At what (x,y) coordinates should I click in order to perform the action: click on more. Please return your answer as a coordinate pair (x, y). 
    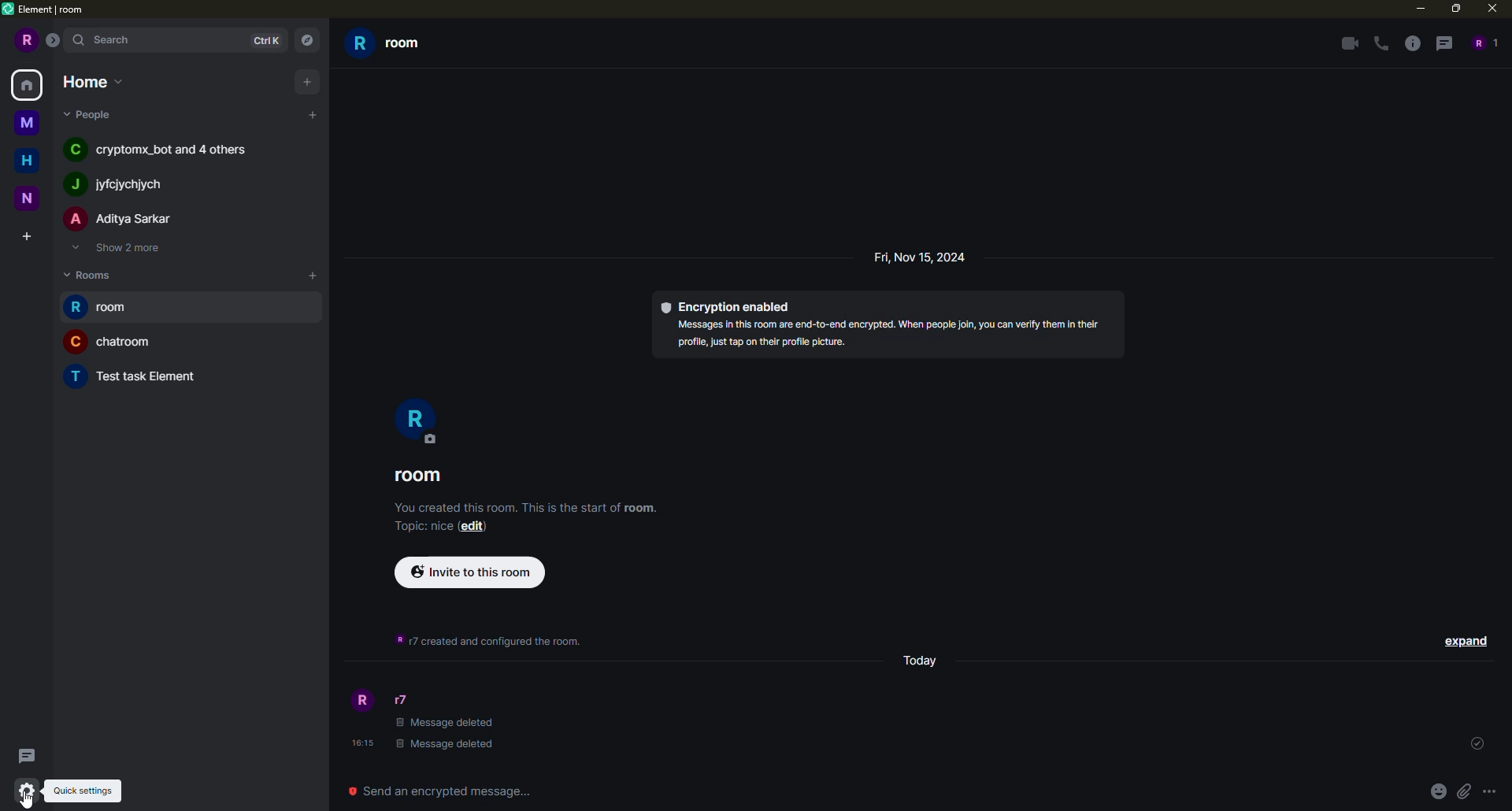
    Looking at the image, I should click on (1490, 792).